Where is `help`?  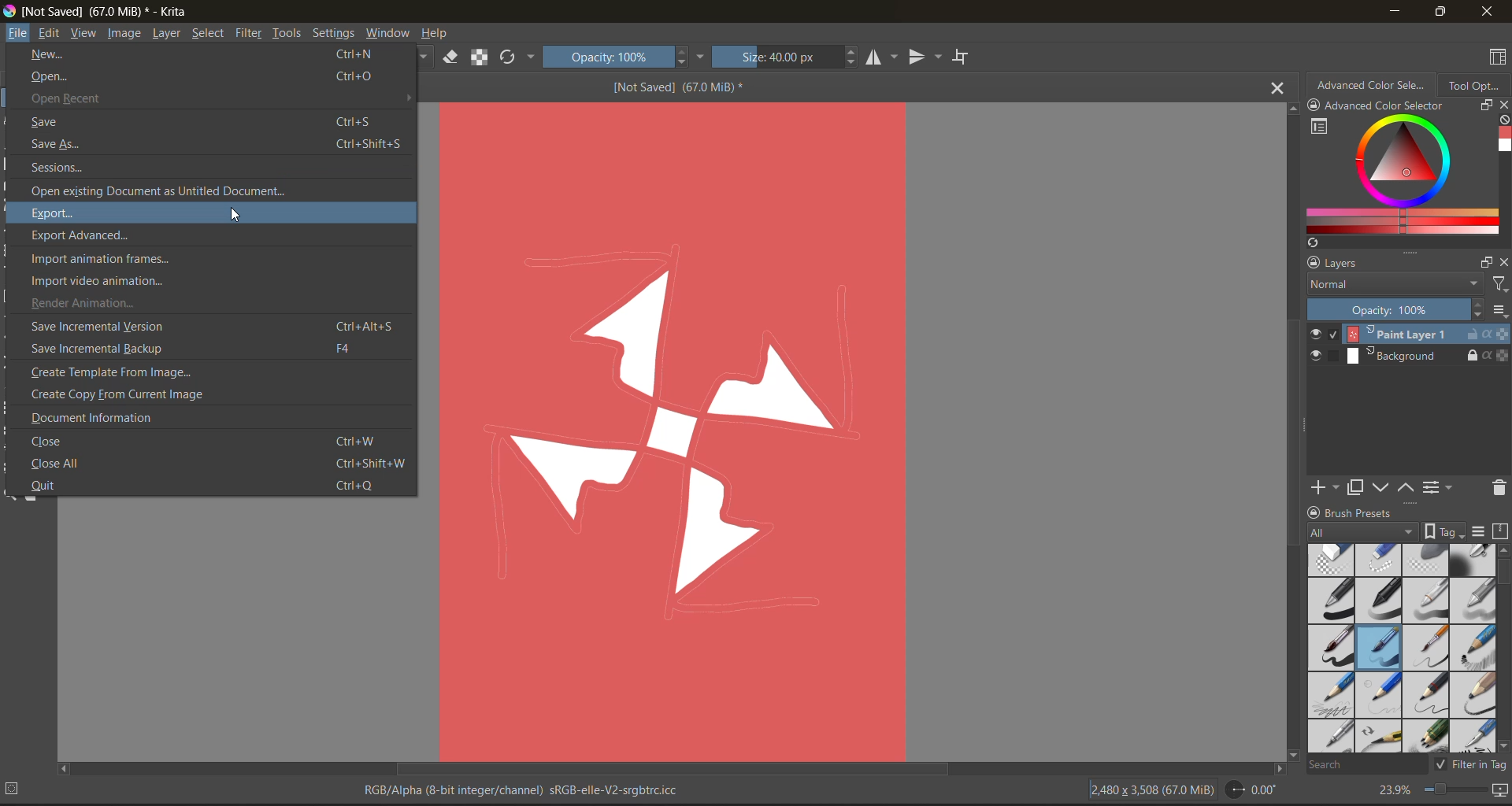
help is located at coordinates (439, 35).